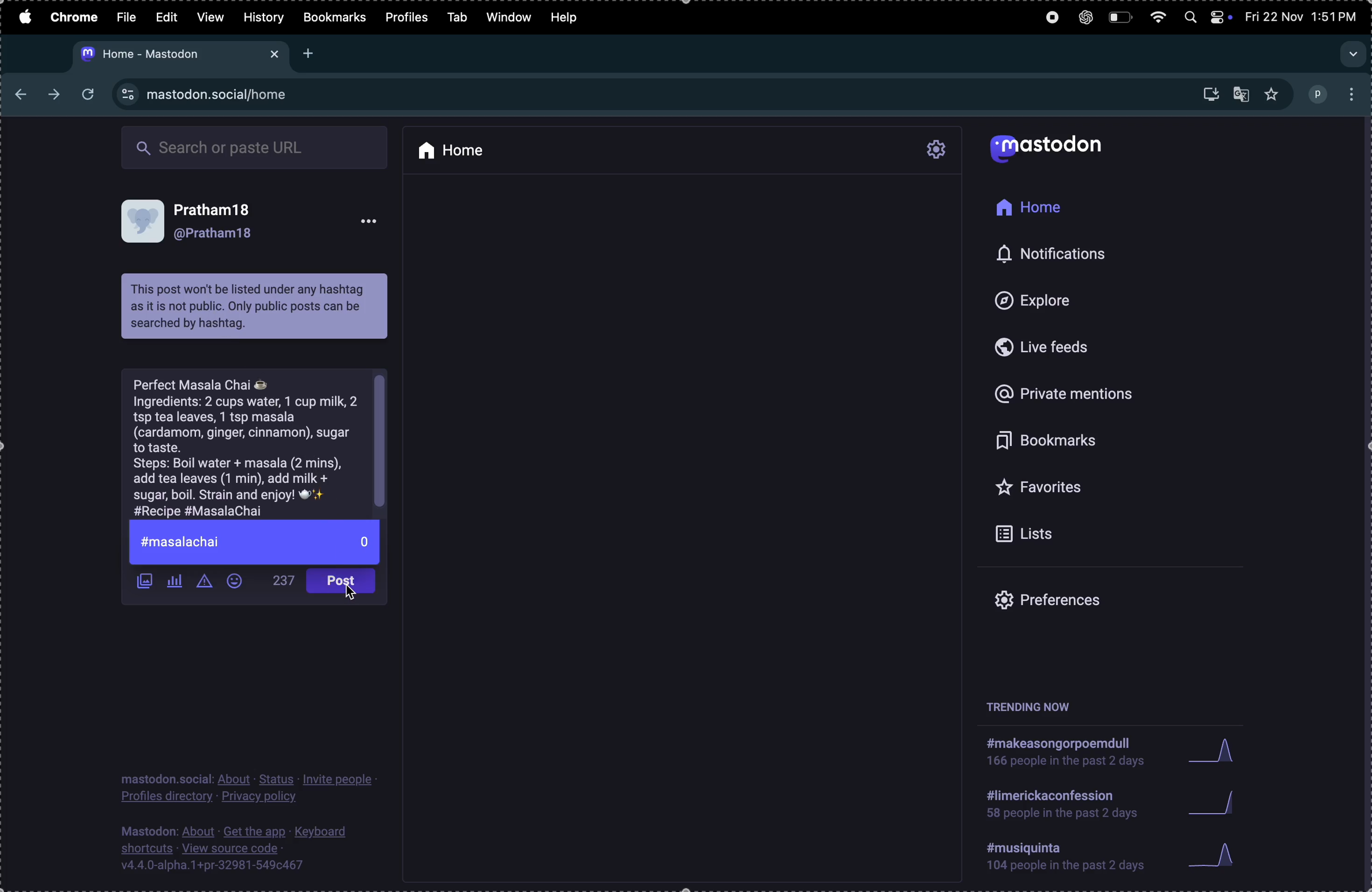 Image resolution: width=1372 pixels, height=892 pixels. Describe the element at coordinates (337, 17) in the screenshot. I see `bookmarks` at that location.